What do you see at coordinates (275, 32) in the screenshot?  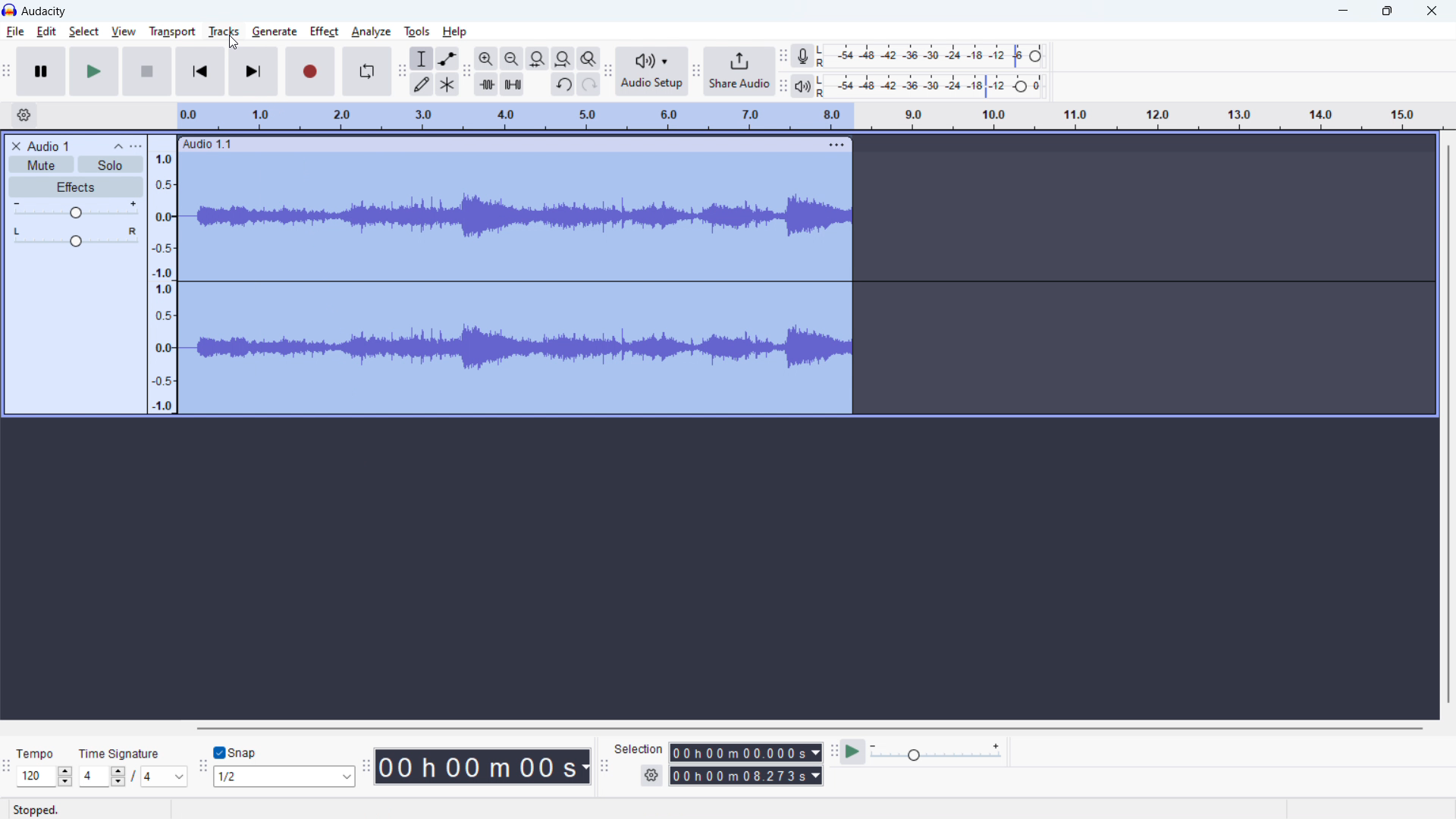 I see `generate` at bounding box center [275, 32].